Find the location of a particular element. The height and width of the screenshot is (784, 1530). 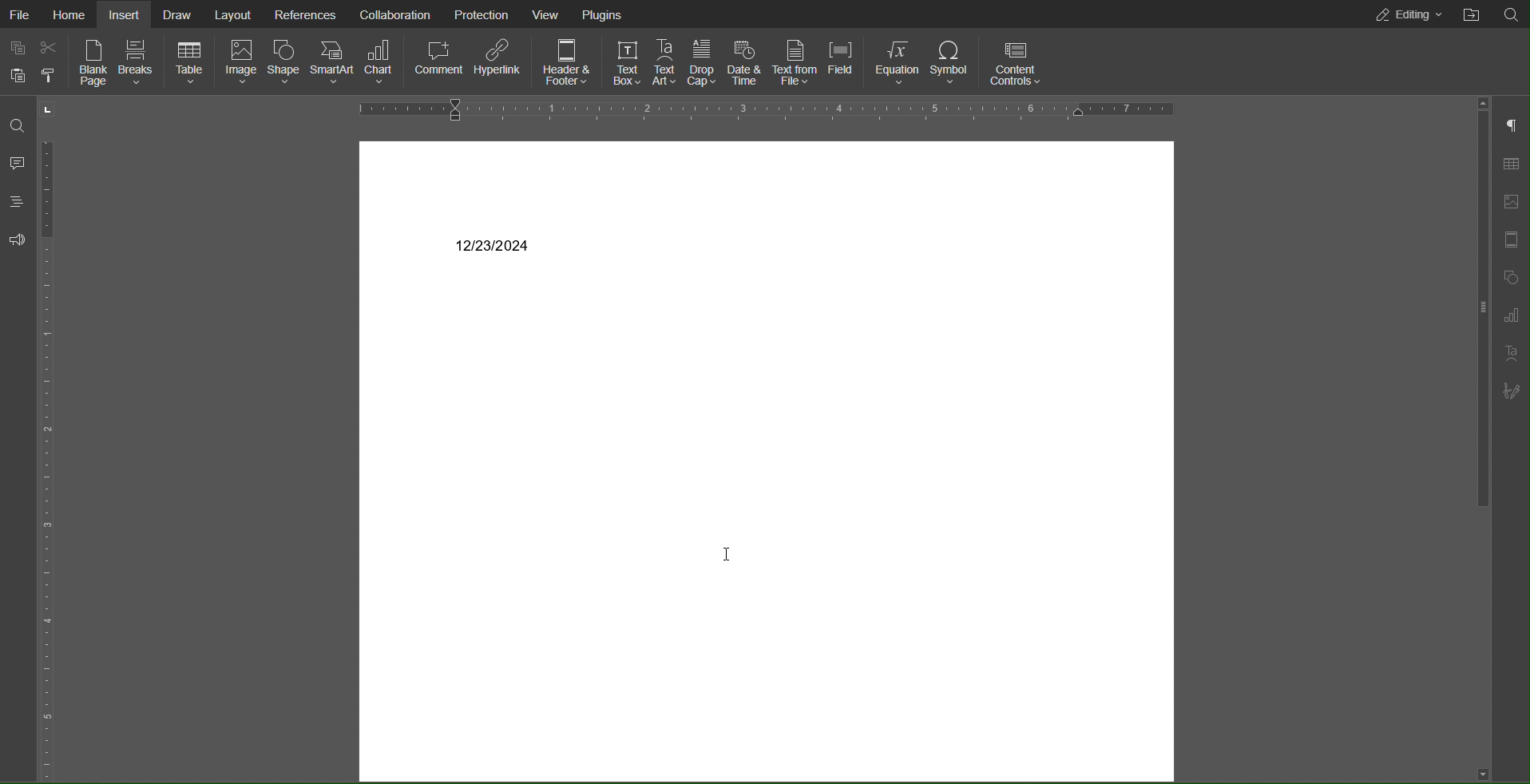

Horizontal Ruler is located at coordinates (758, 109).